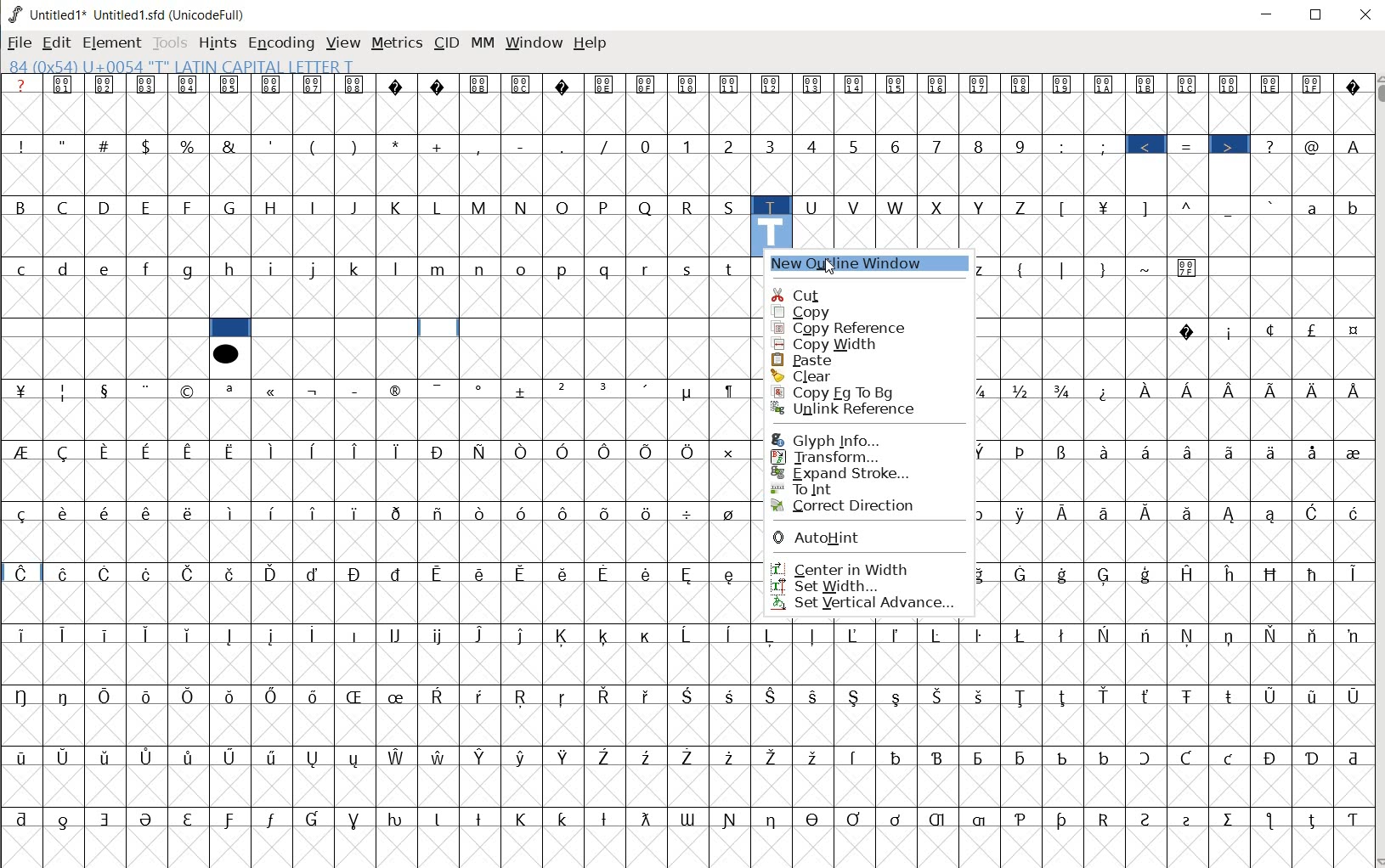  I want to click on Symbol, so click(941, 696).